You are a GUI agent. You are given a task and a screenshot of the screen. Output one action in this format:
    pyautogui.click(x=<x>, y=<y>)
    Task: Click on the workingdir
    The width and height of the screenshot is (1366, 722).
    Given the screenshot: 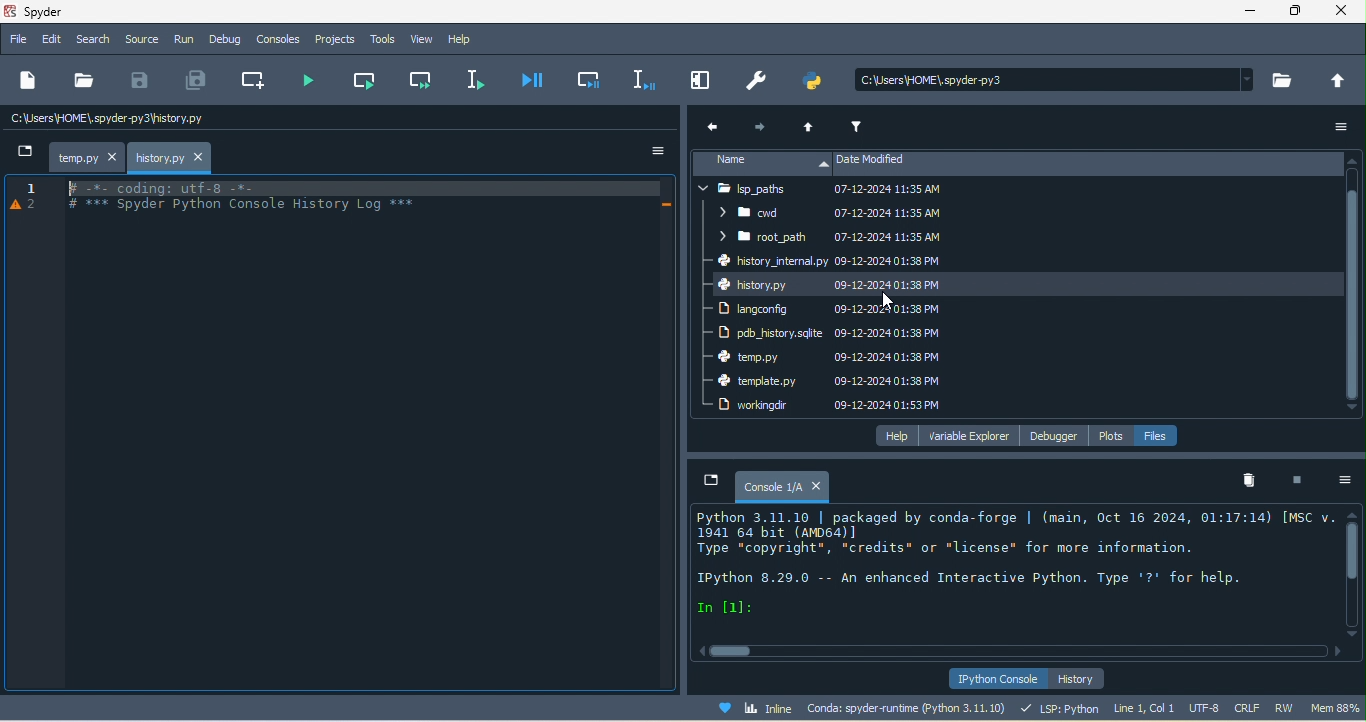 What is the action you would take?
    pyautogui.click(x=763, y=407)
    